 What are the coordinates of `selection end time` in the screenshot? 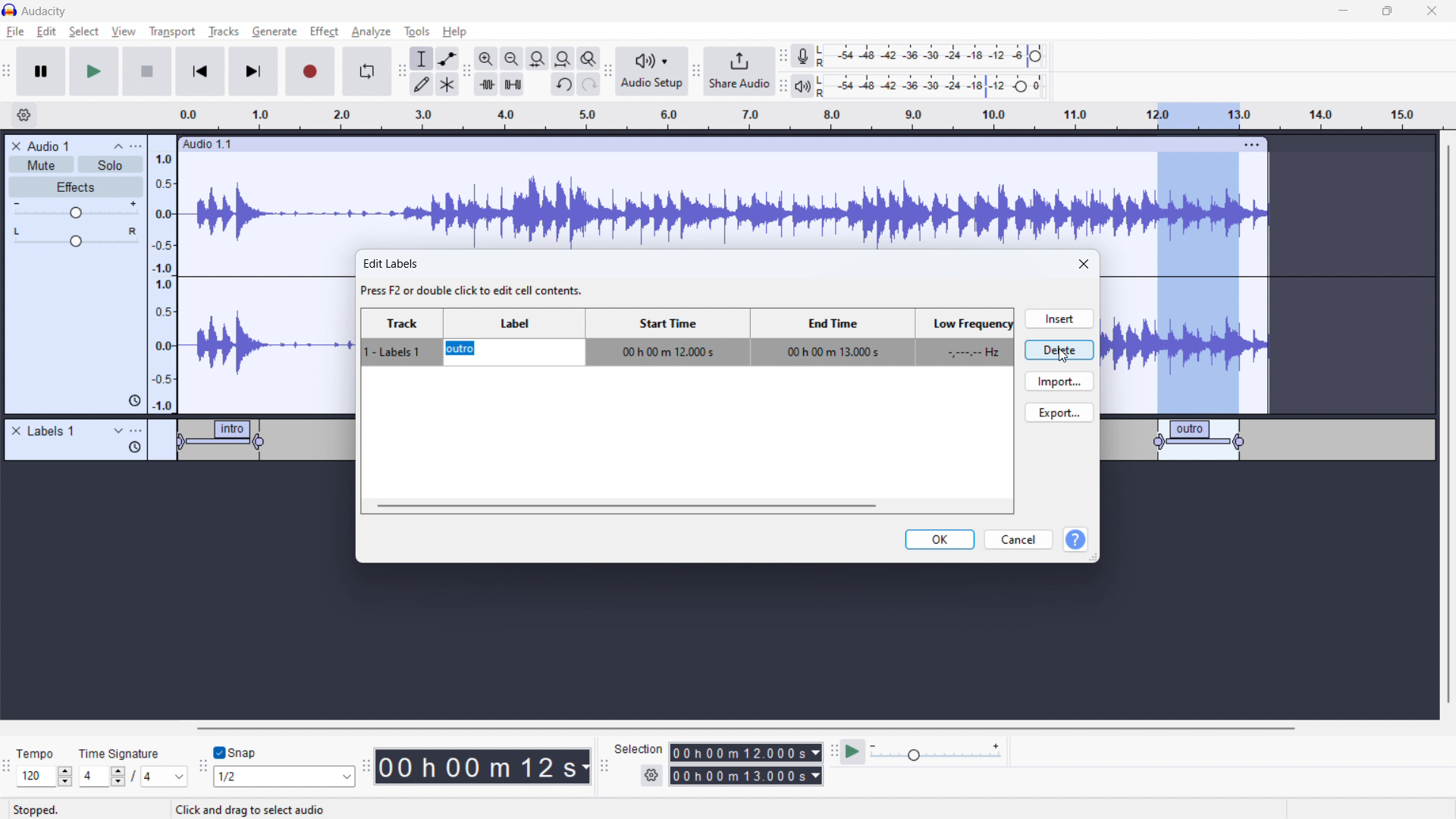 It's located at (747, 776).